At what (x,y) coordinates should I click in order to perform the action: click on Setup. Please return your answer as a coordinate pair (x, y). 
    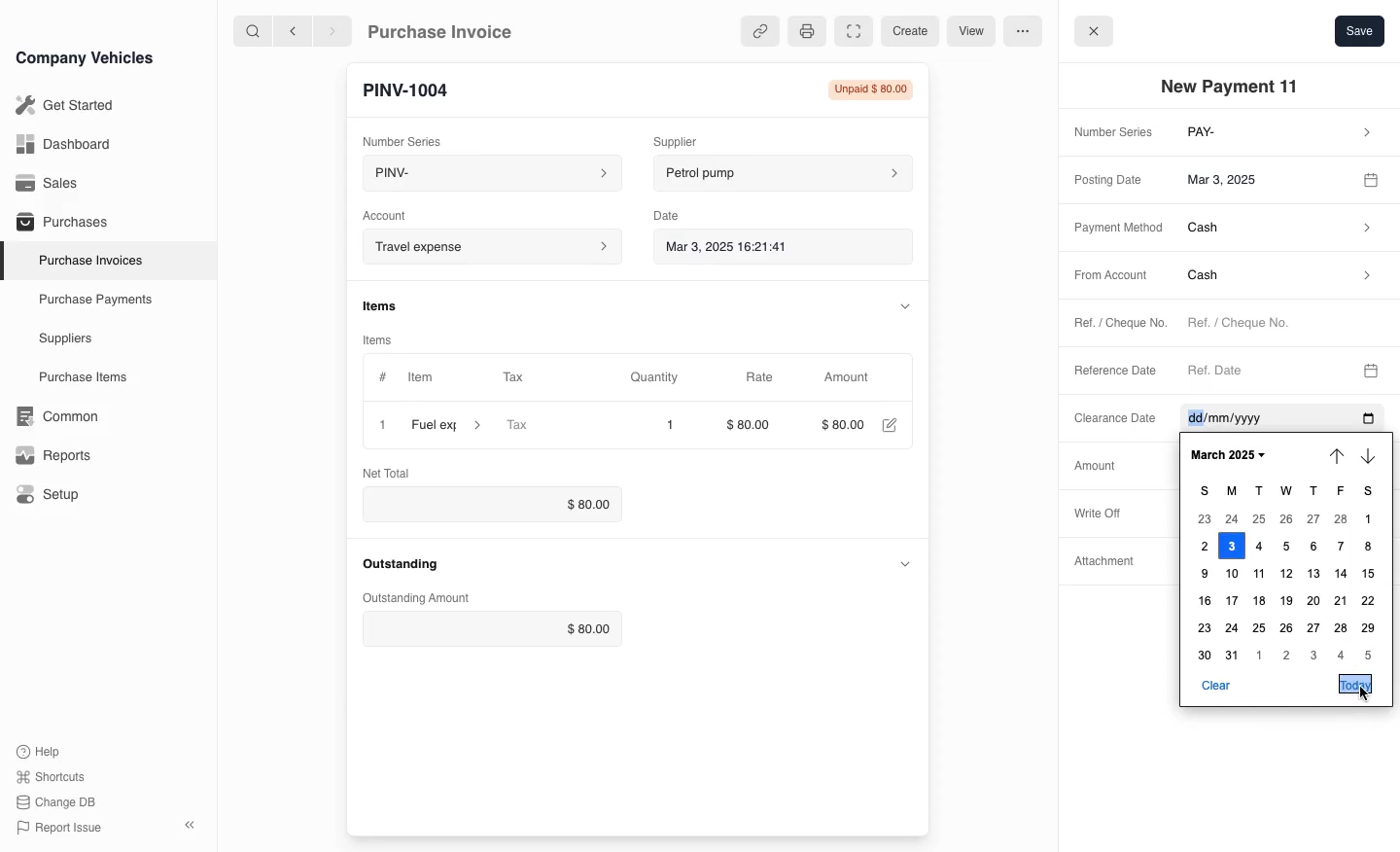
    Looking at the image, I should click on (52, 495).